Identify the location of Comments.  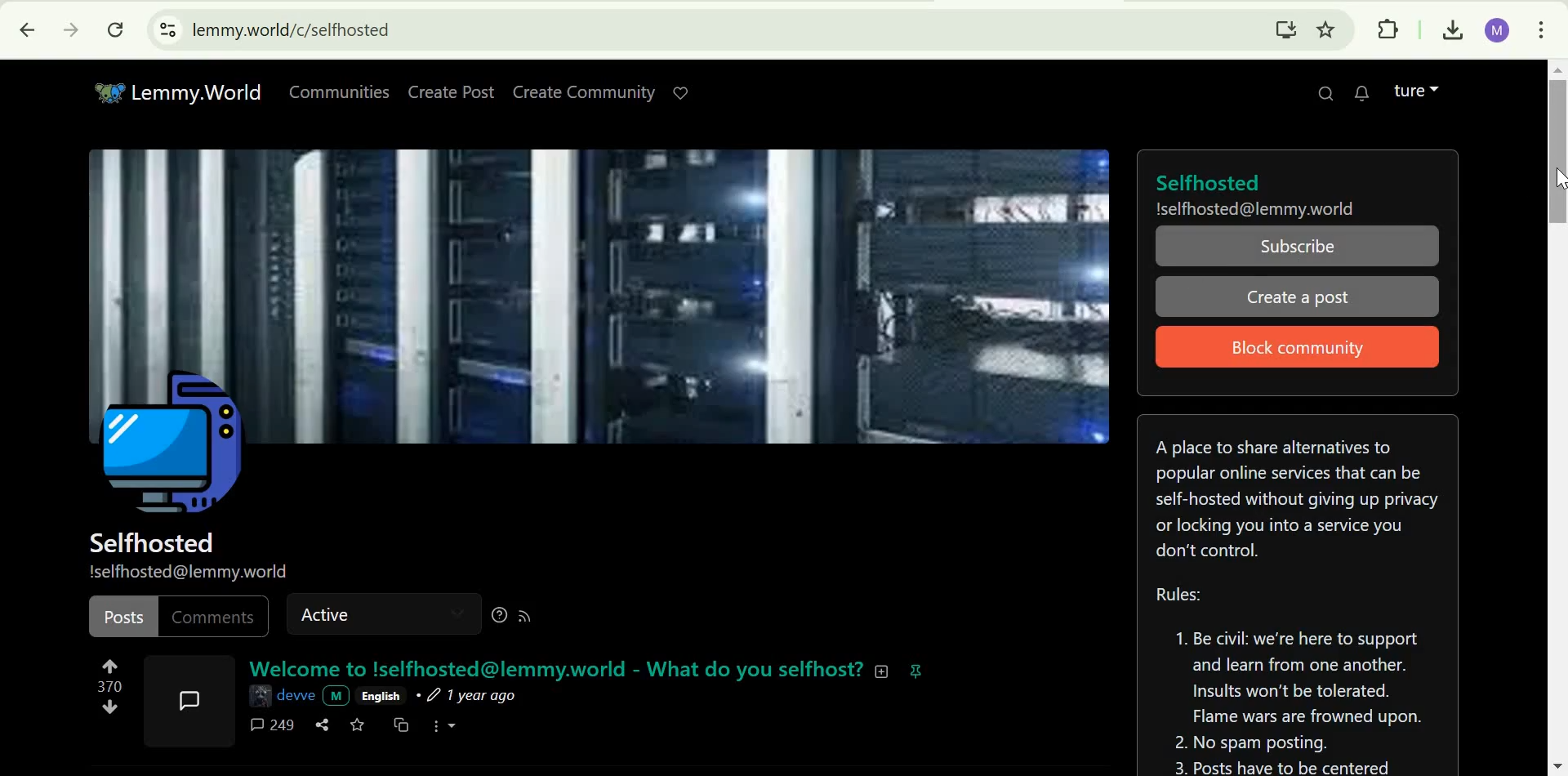
(212, 618).